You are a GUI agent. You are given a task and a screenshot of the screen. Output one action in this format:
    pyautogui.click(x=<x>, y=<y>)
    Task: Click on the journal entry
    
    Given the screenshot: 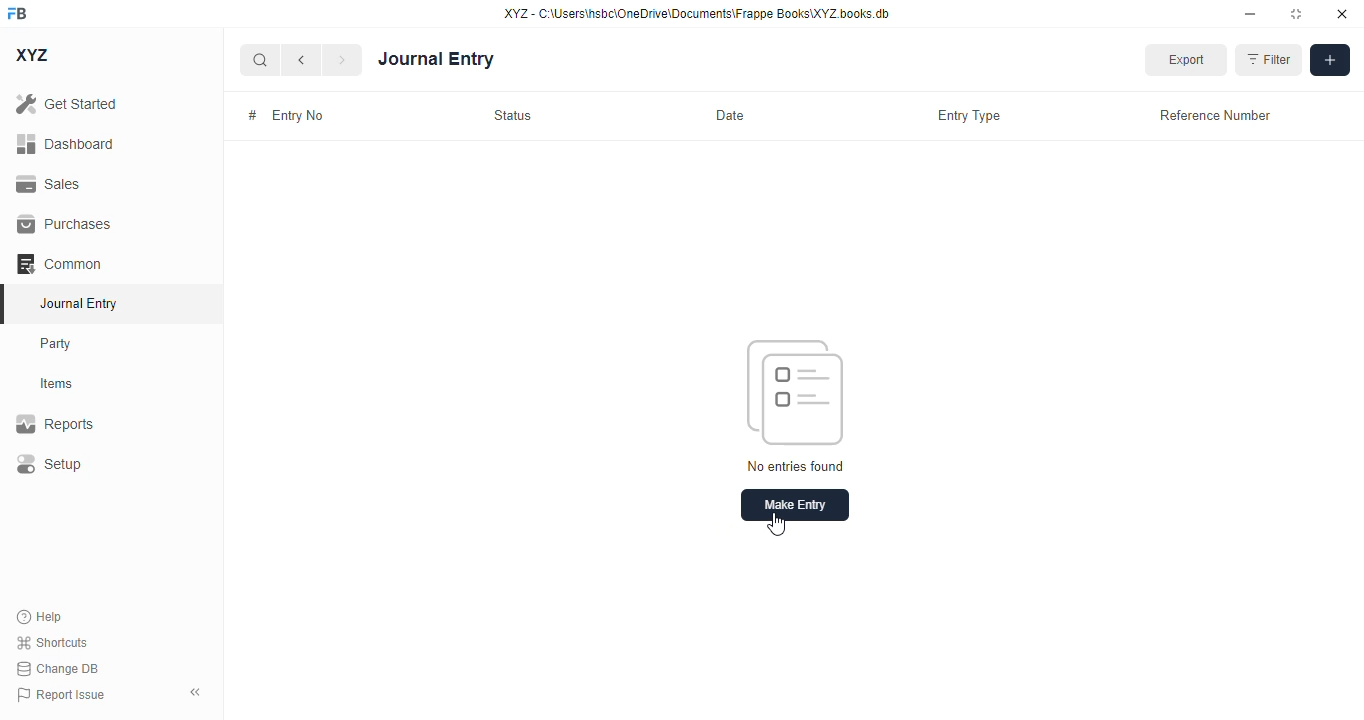 What is the action you would take?
    pyautogui.click(x=436, y=60)
    